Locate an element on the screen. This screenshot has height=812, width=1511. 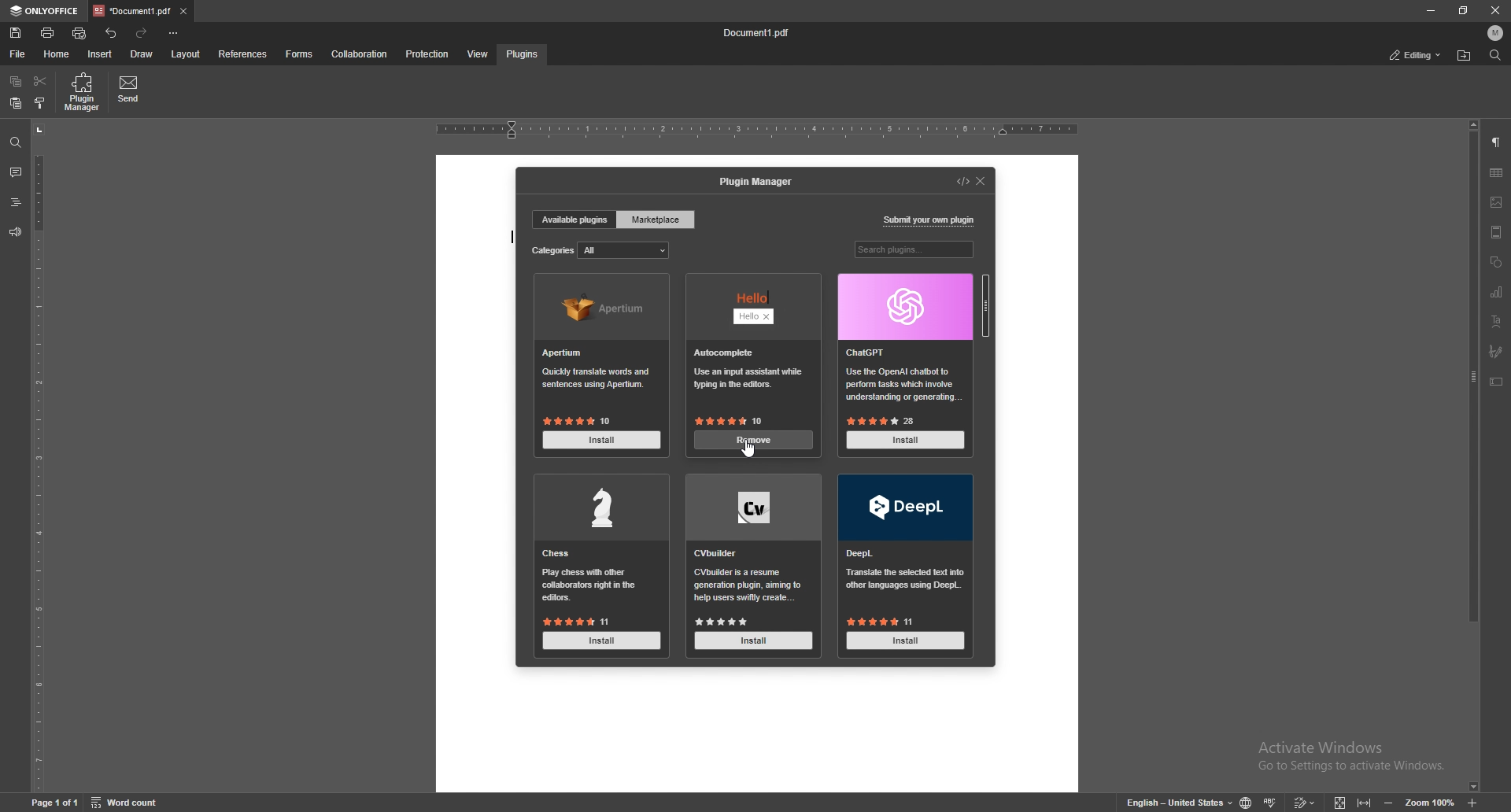
image is located at coordinates (1497, 203).